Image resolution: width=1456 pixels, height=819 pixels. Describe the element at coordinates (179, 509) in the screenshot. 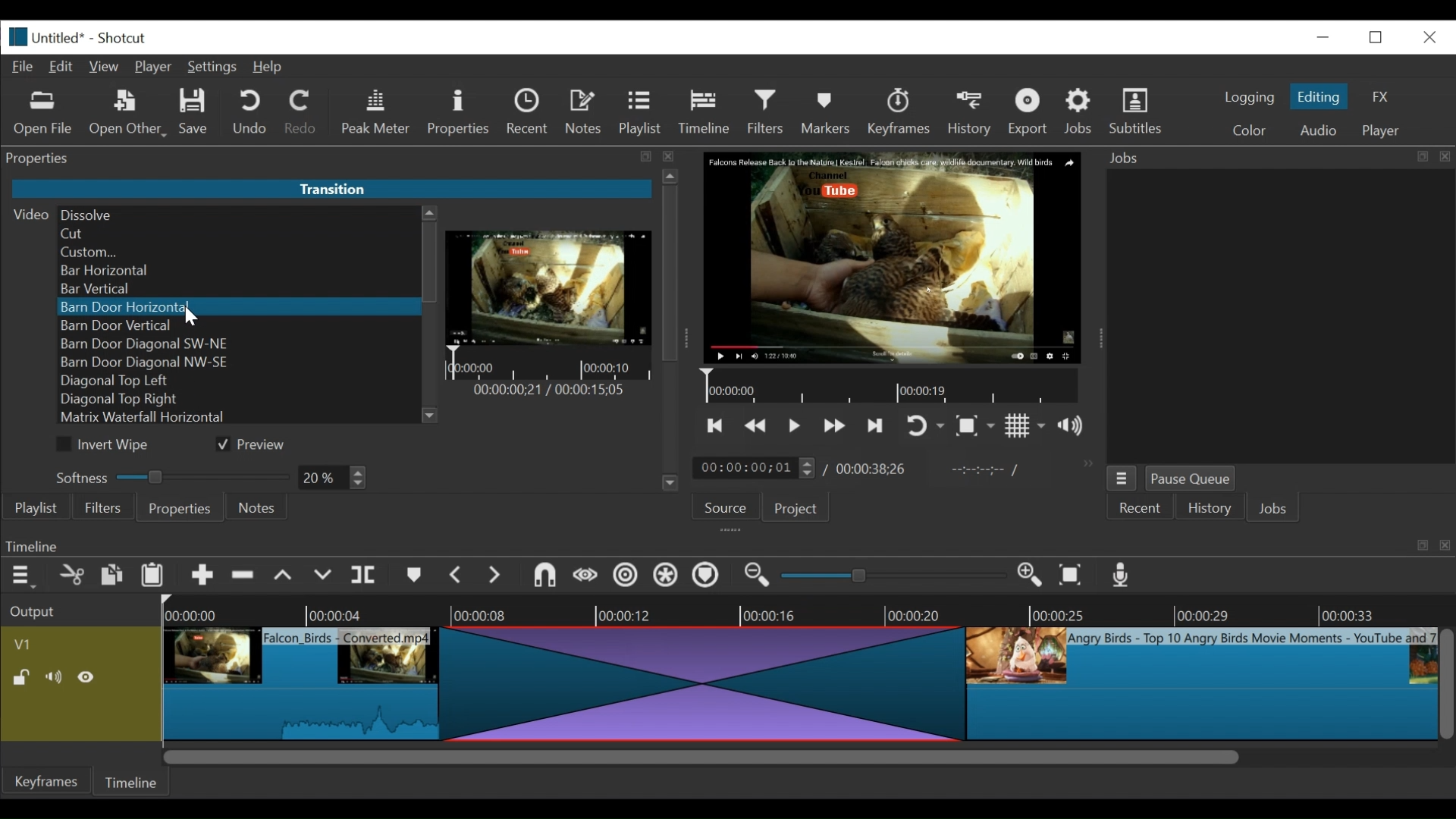

I see `Properties` at that location.